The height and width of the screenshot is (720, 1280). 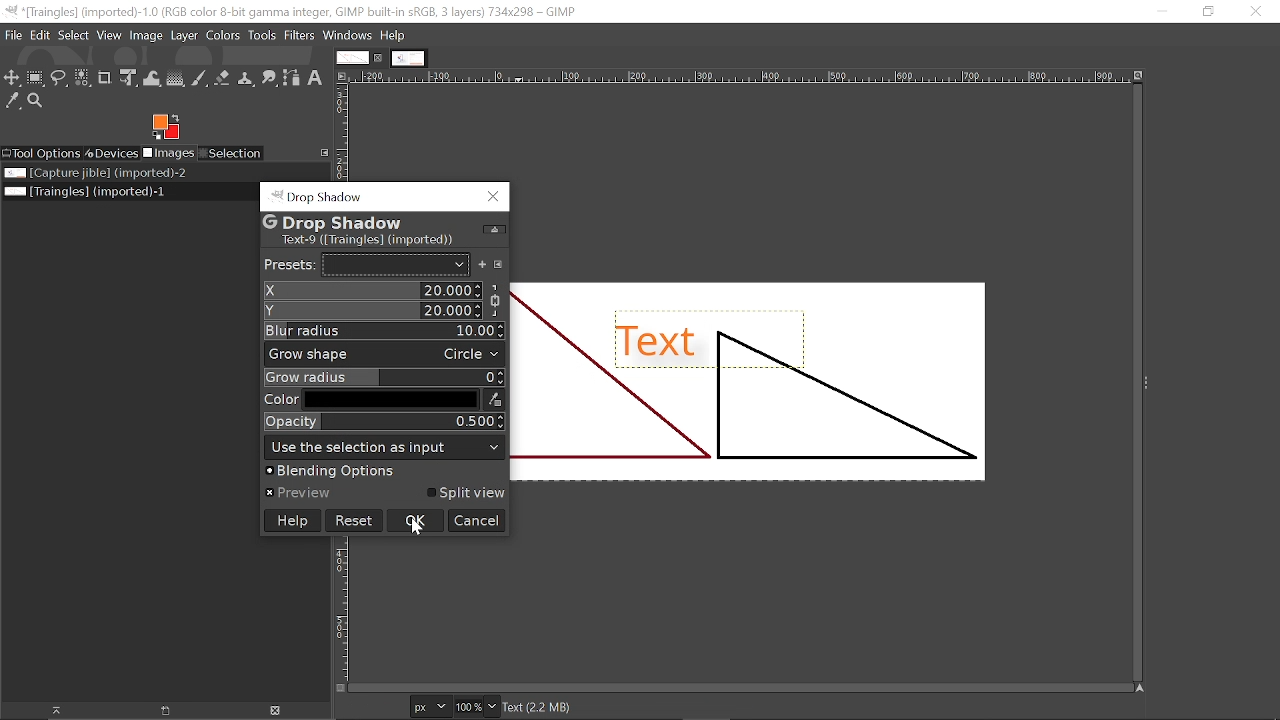 I want to click on Close, so click(x=492, y=197).